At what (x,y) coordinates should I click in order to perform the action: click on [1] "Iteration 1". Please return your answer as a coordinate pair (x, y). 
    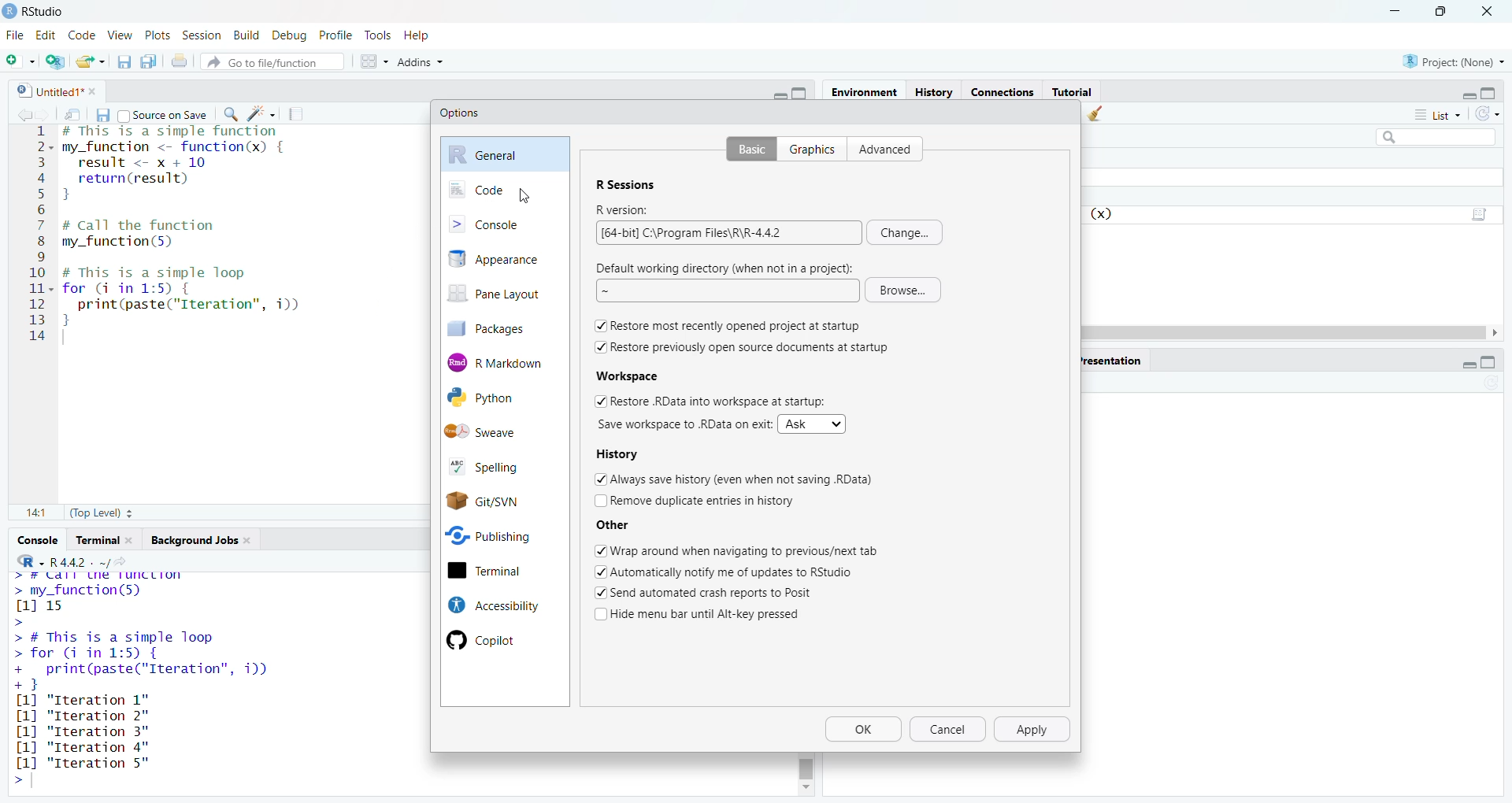
    Looking at the image, I should click on (91, 700).